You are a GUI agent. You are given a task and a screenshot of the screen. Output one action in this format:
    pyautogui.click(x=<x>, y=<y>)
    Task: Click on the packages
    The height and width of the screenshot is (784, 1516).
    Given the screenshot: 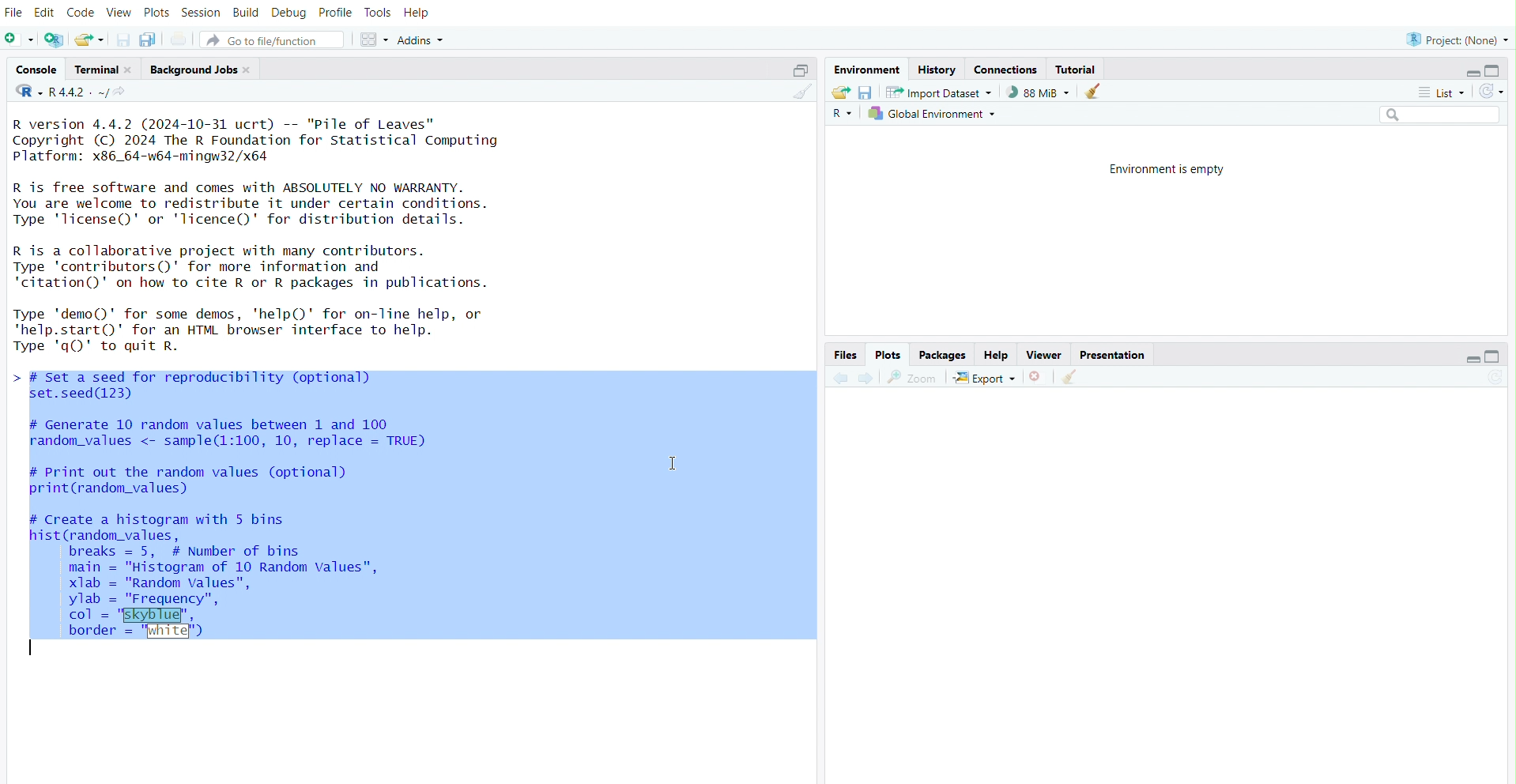 What is the action you would take?
    pyautogui.click(x=941, y=354)
    